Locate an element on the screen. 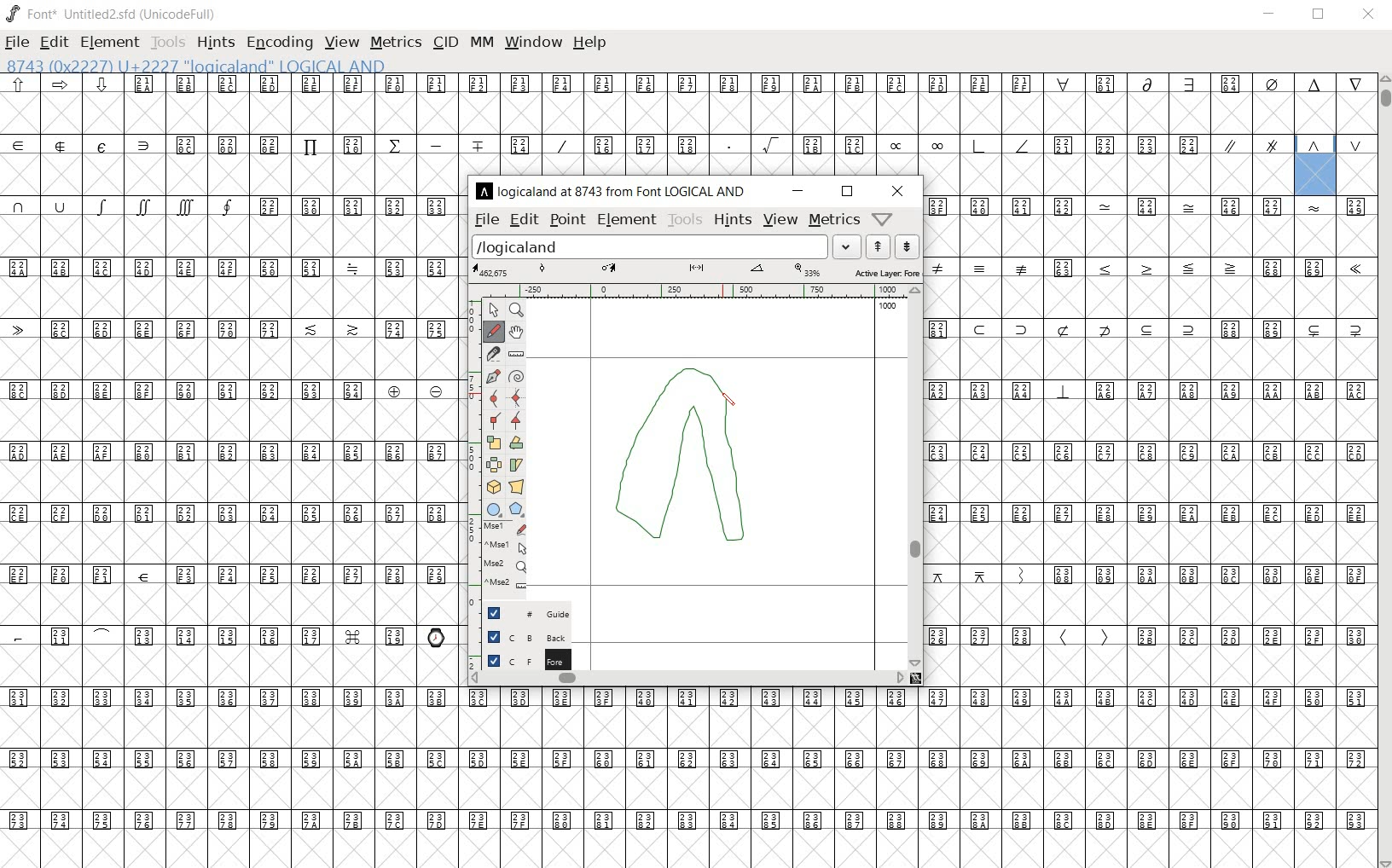  scrollbar is located at coordinates (917, 477).